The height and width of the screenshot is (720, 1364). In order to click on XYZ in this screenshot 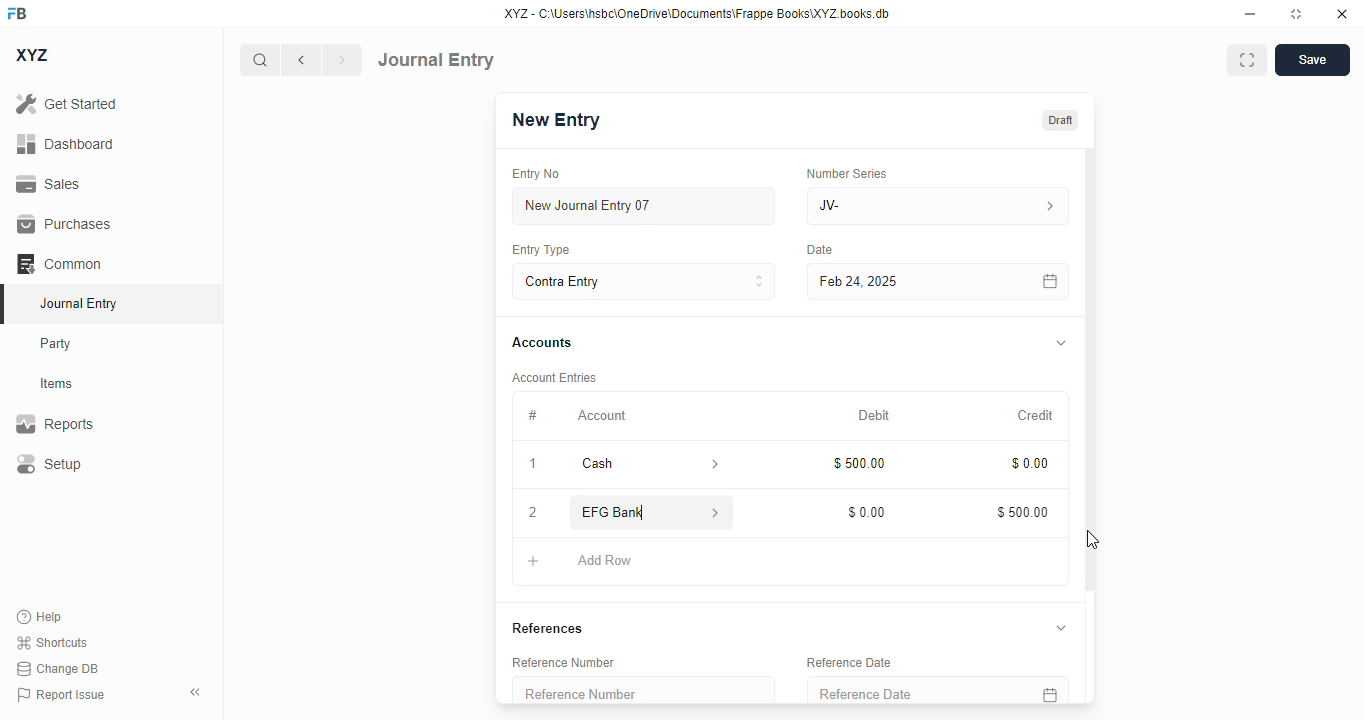, I will do `click(31, 55)`.